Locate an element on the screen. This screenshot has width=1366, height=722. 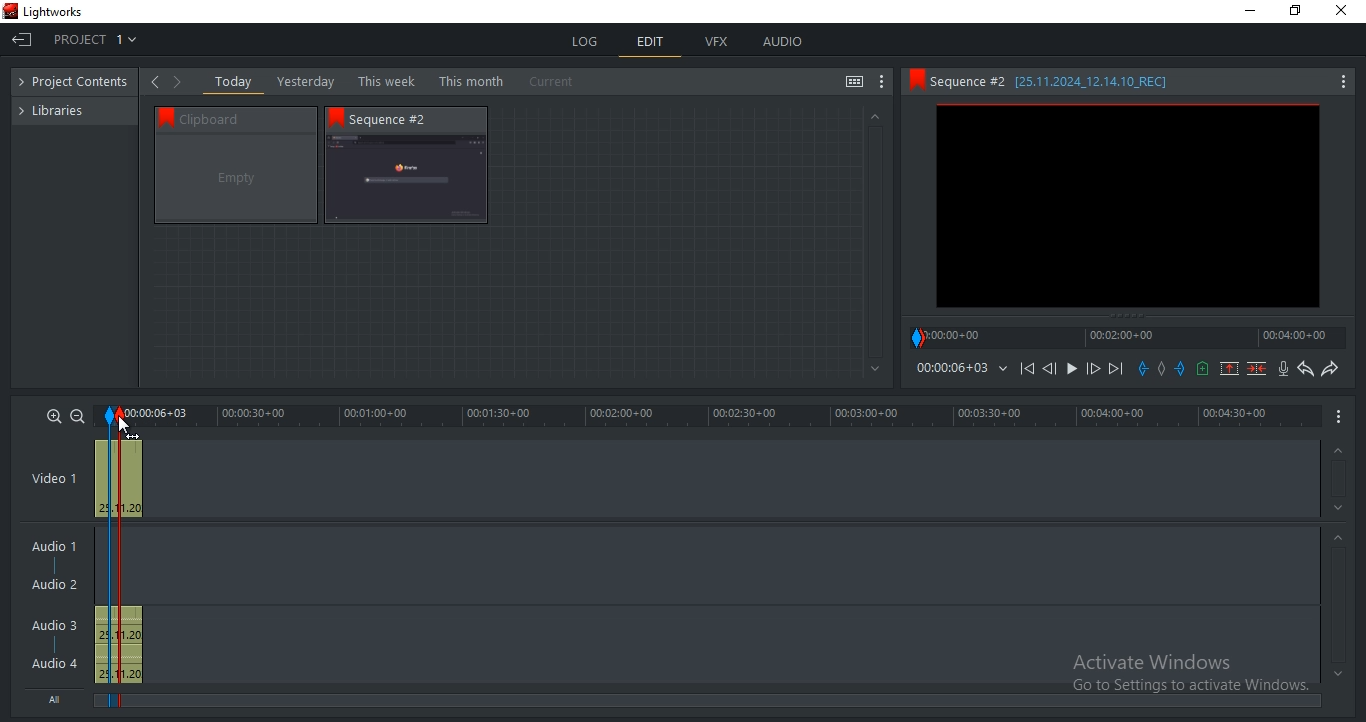
Lightworks is located at coordinates (54, 12).